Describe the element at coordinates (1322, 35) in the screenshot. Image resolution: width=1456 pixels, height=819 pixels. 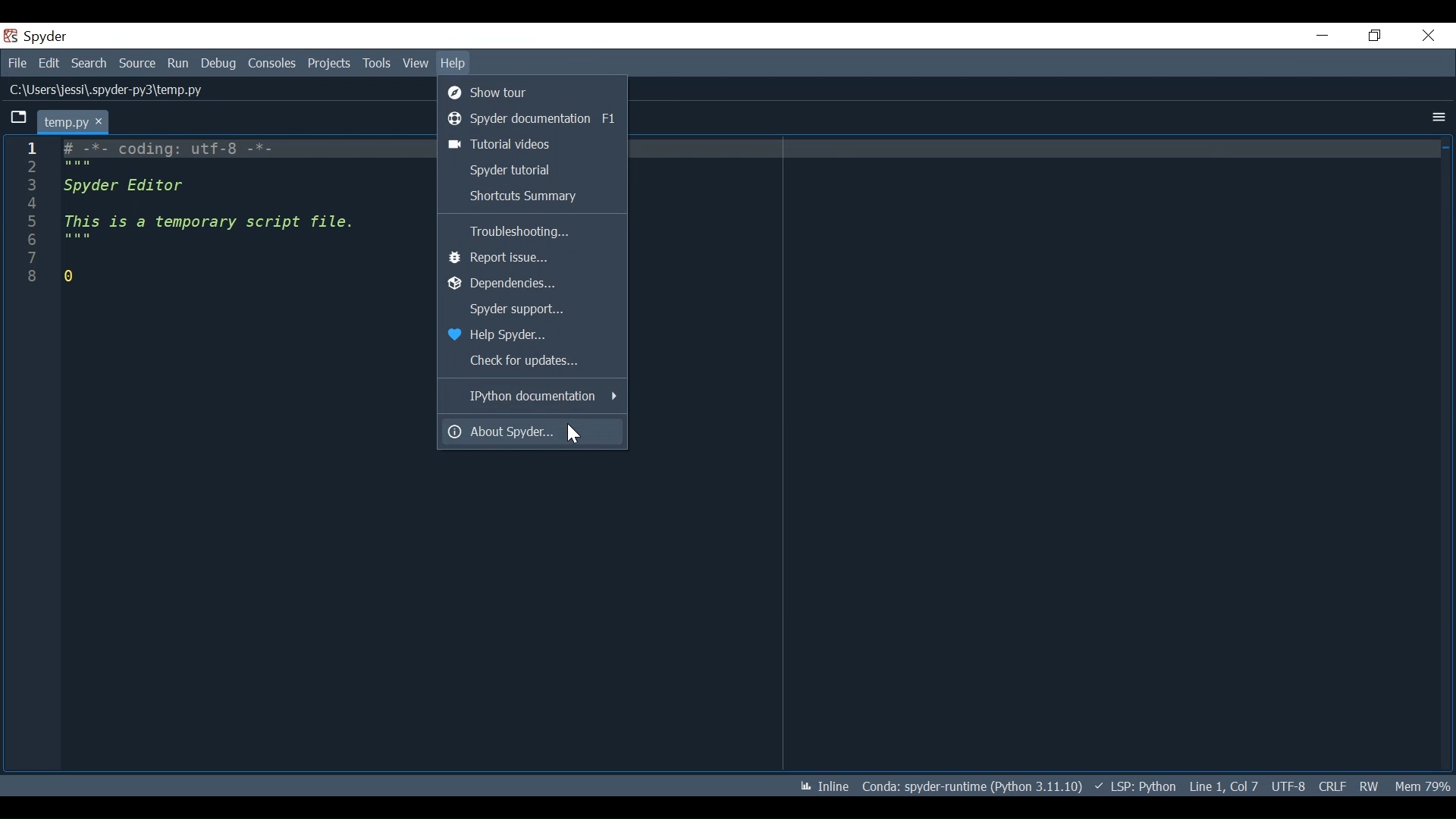
I see `Minimize` at that location.